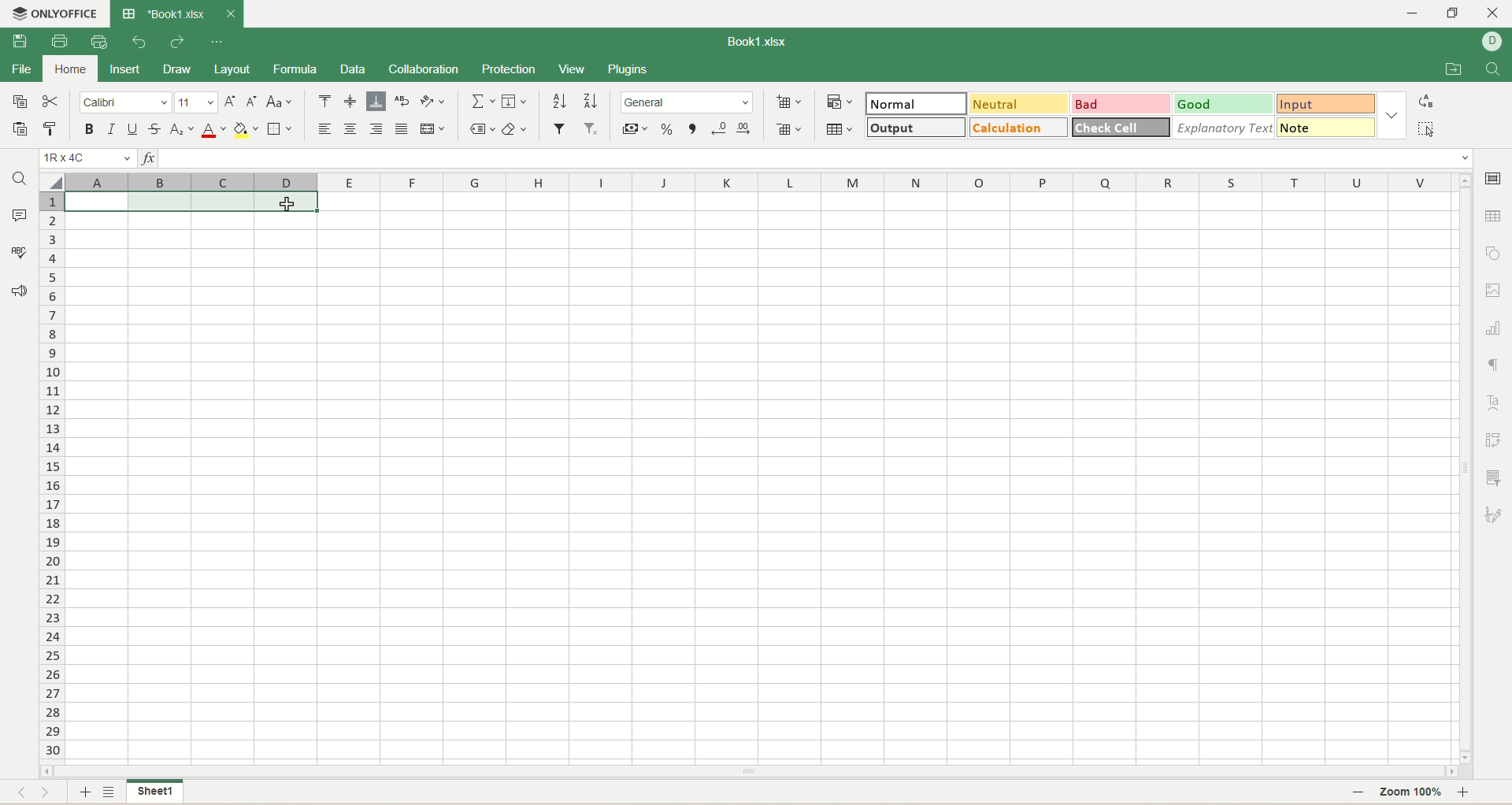  I want to click on copy, so click(19, 102).